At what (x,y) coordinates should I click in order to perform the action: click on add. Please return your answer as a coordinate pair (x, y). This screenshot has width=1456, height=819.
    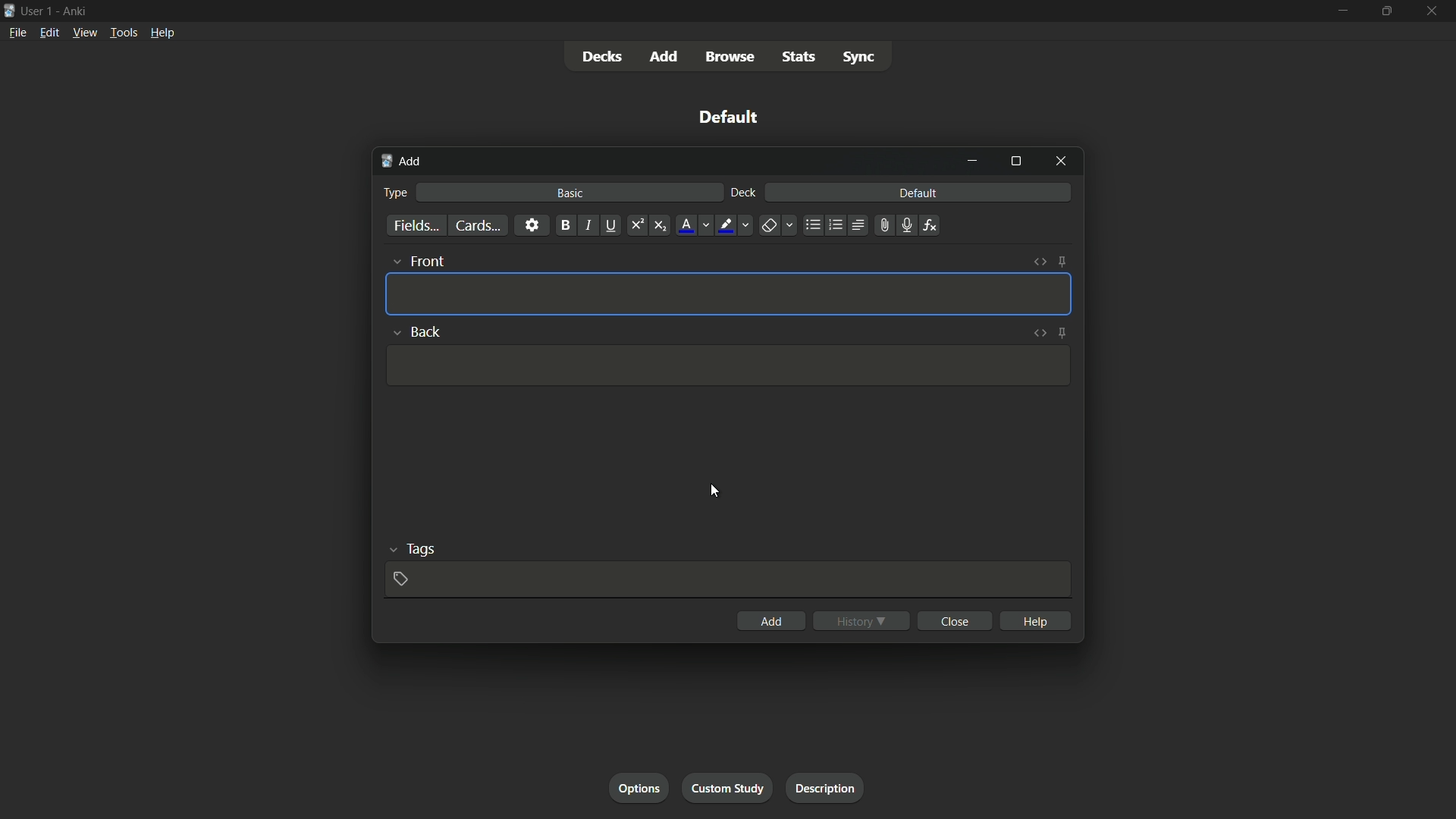
    Looking at the image, I should click on (665, 55).